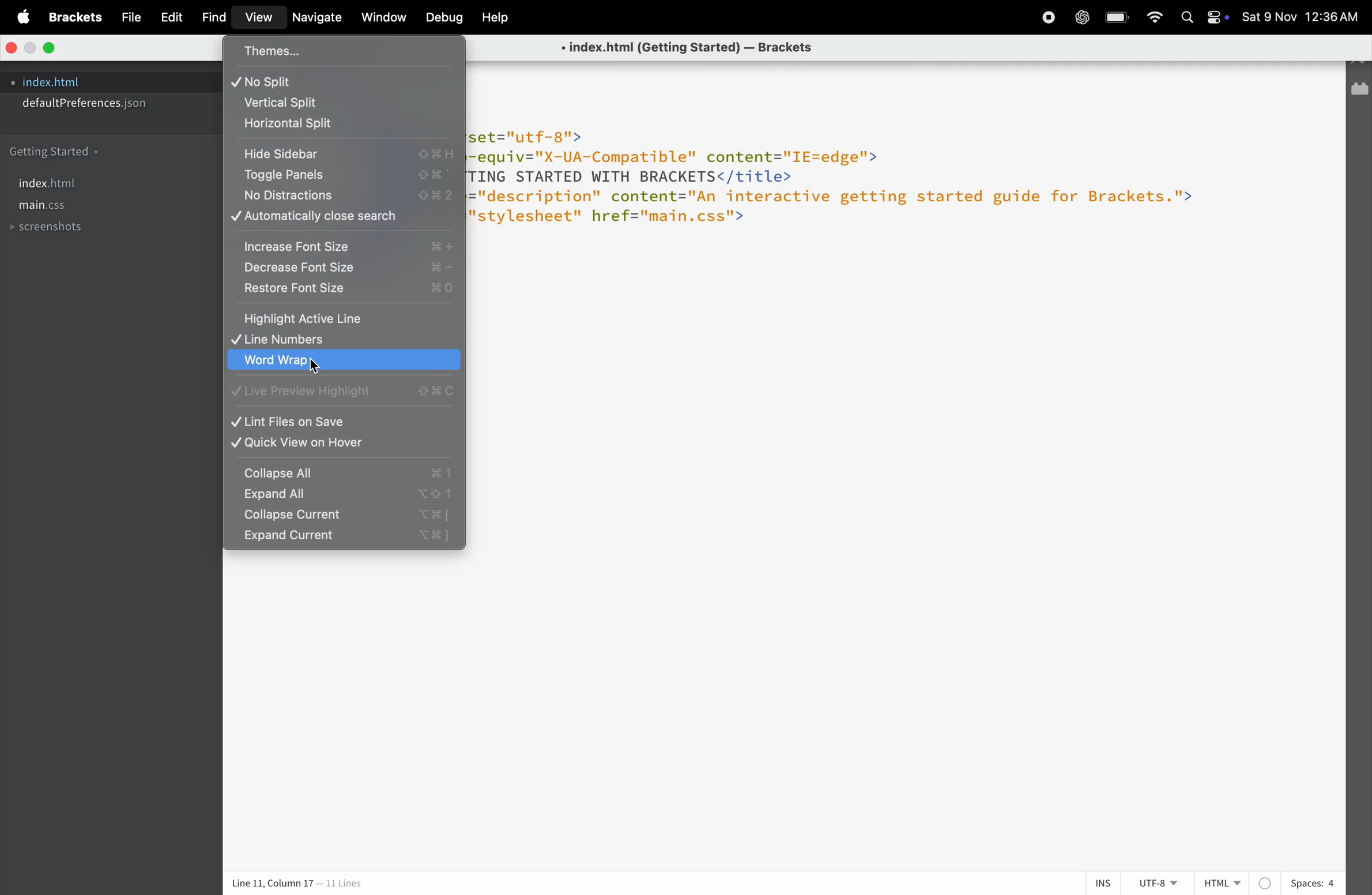  What do you see at coordinates (213, 18) in the screenshot?
I see `find` at bounding box center [213, 18].